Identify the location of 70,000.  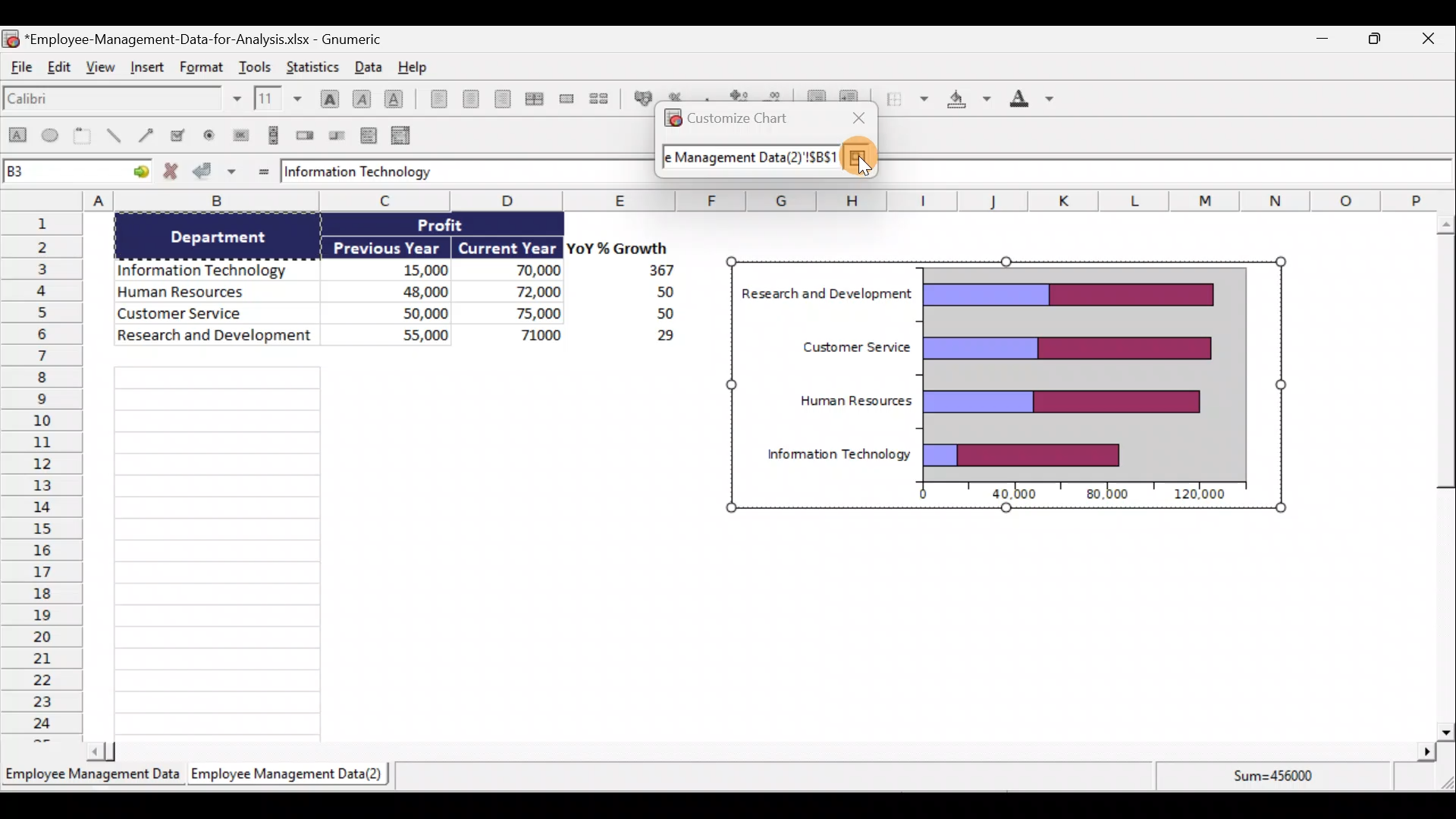
(522, 271).